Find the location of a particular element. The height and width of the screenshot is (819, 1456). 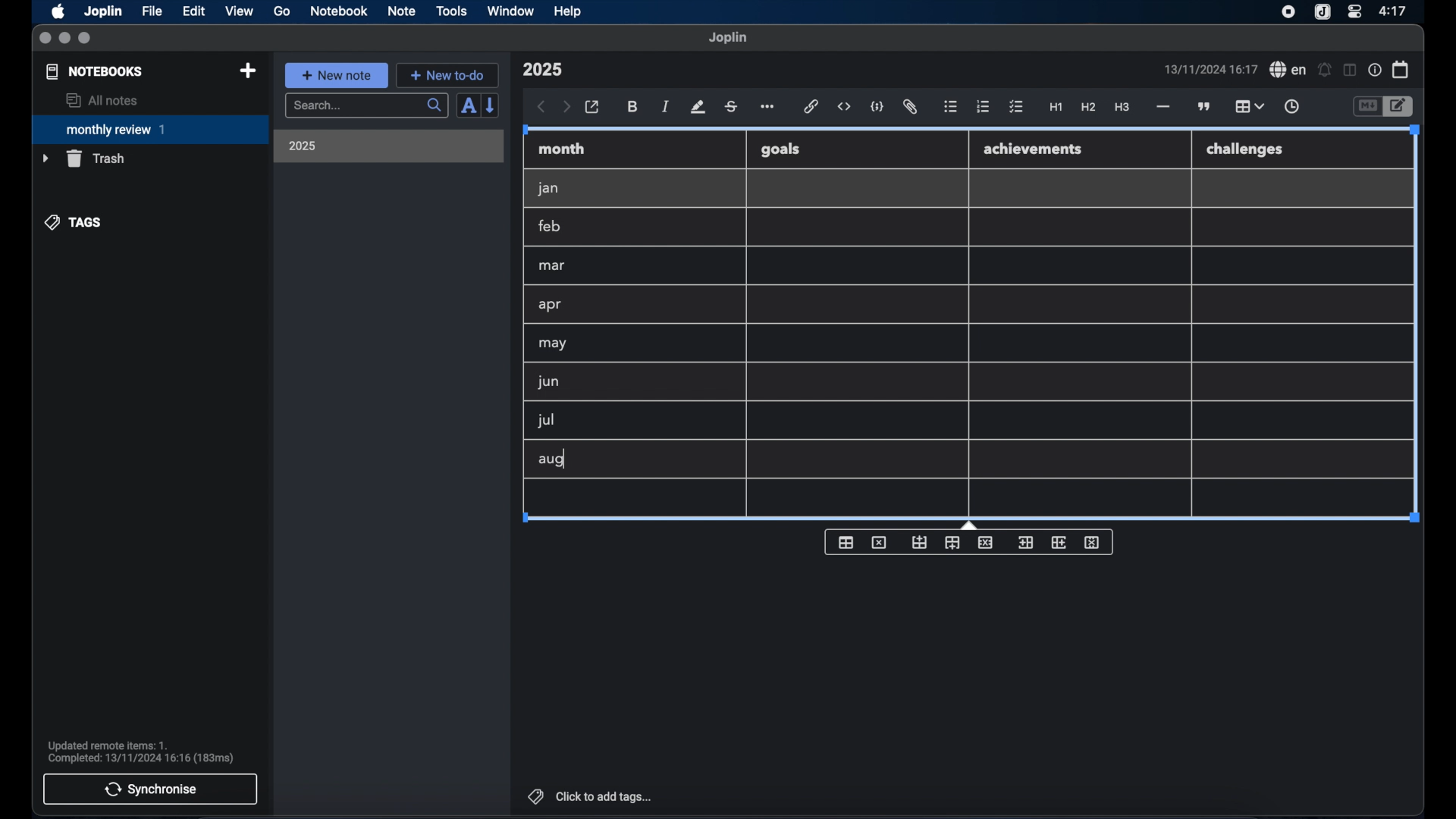

2025 is located at coordinates (303, 146).